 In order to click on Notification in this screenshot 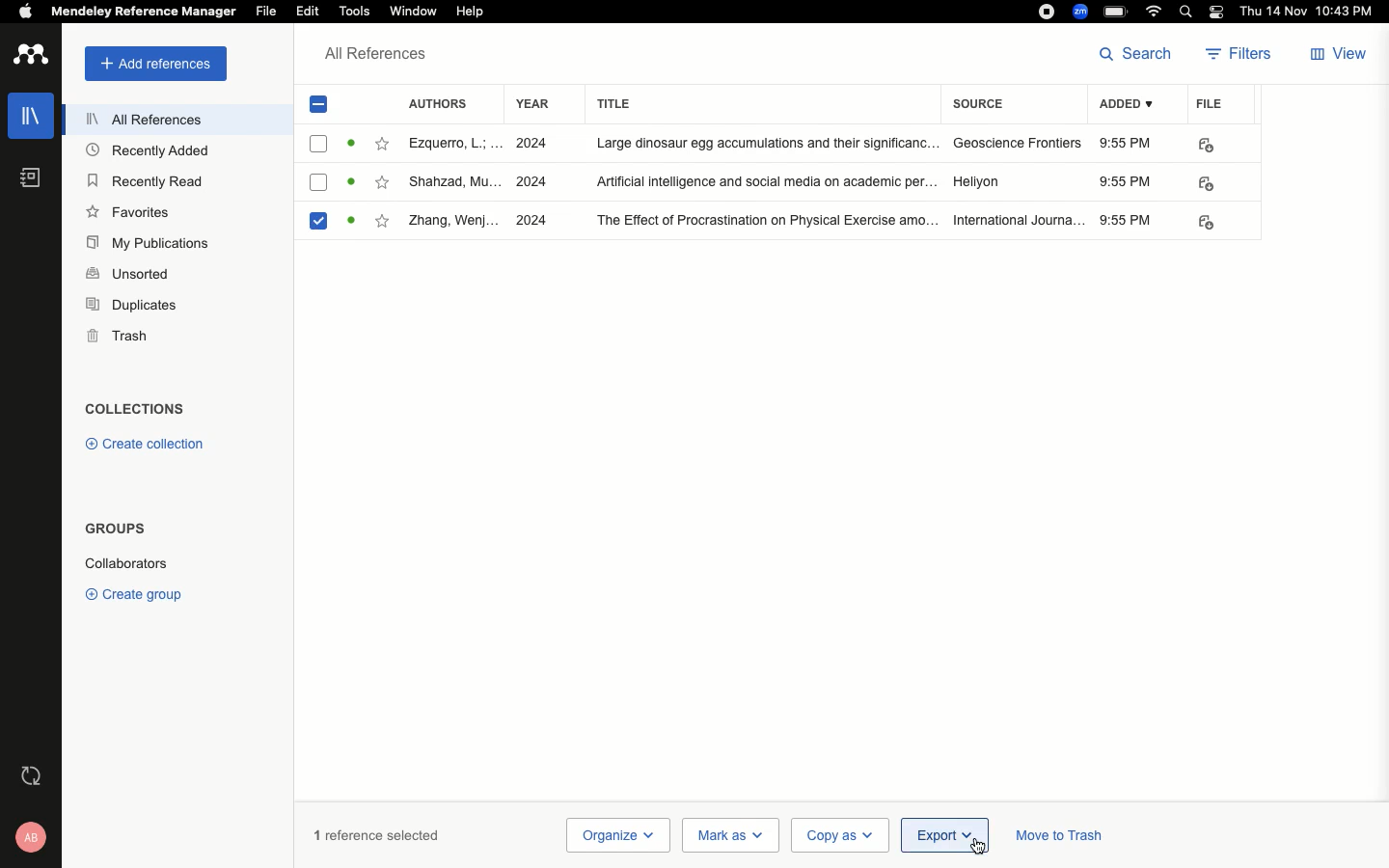, I will do `click(1219, 12)`.